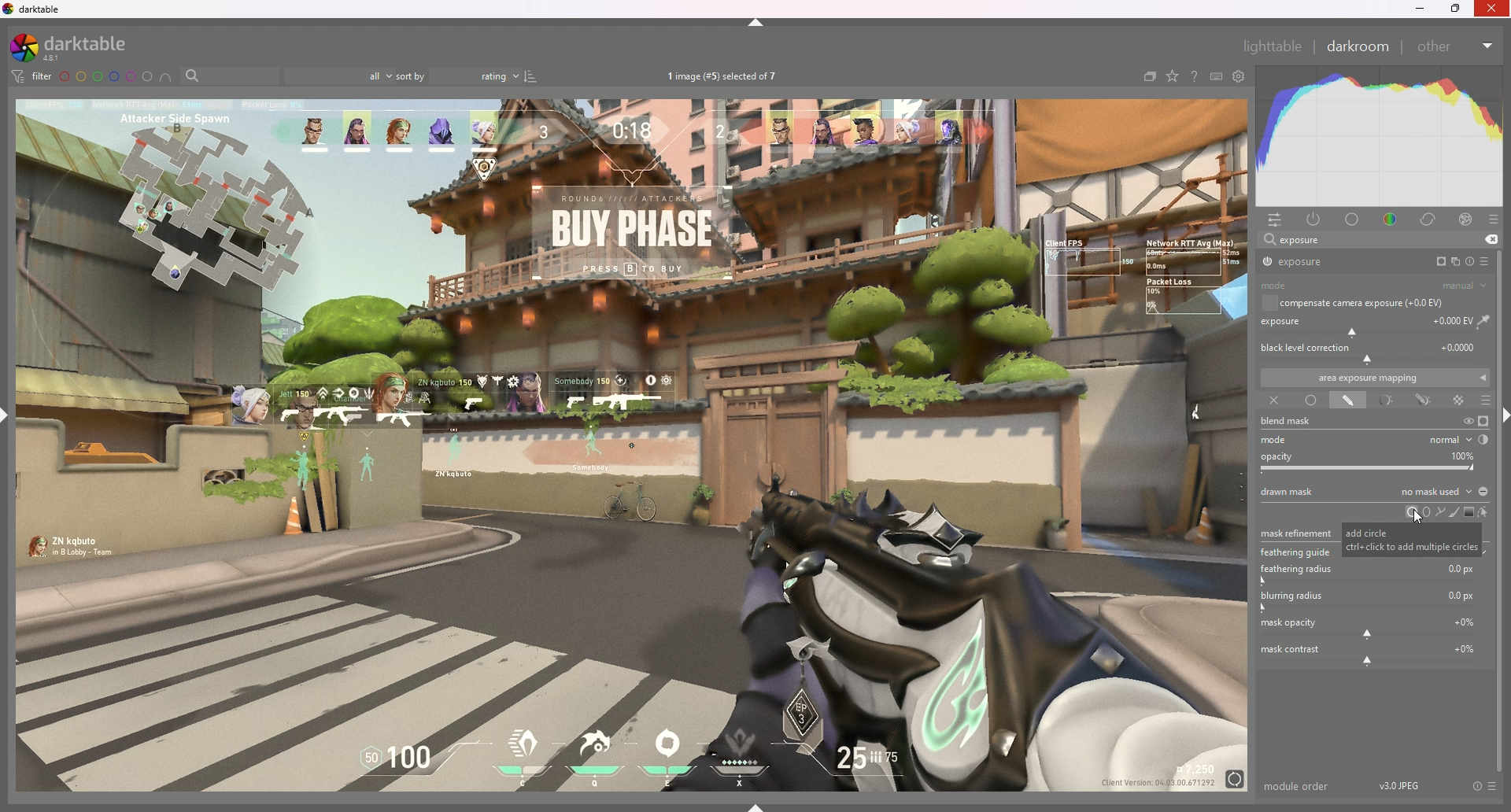 This screenshot has height=812, width=1511. What do you see at coordinates (1299, 552) in the screenshot?
I see `feathering guide` at bounding box center [1299, 552].